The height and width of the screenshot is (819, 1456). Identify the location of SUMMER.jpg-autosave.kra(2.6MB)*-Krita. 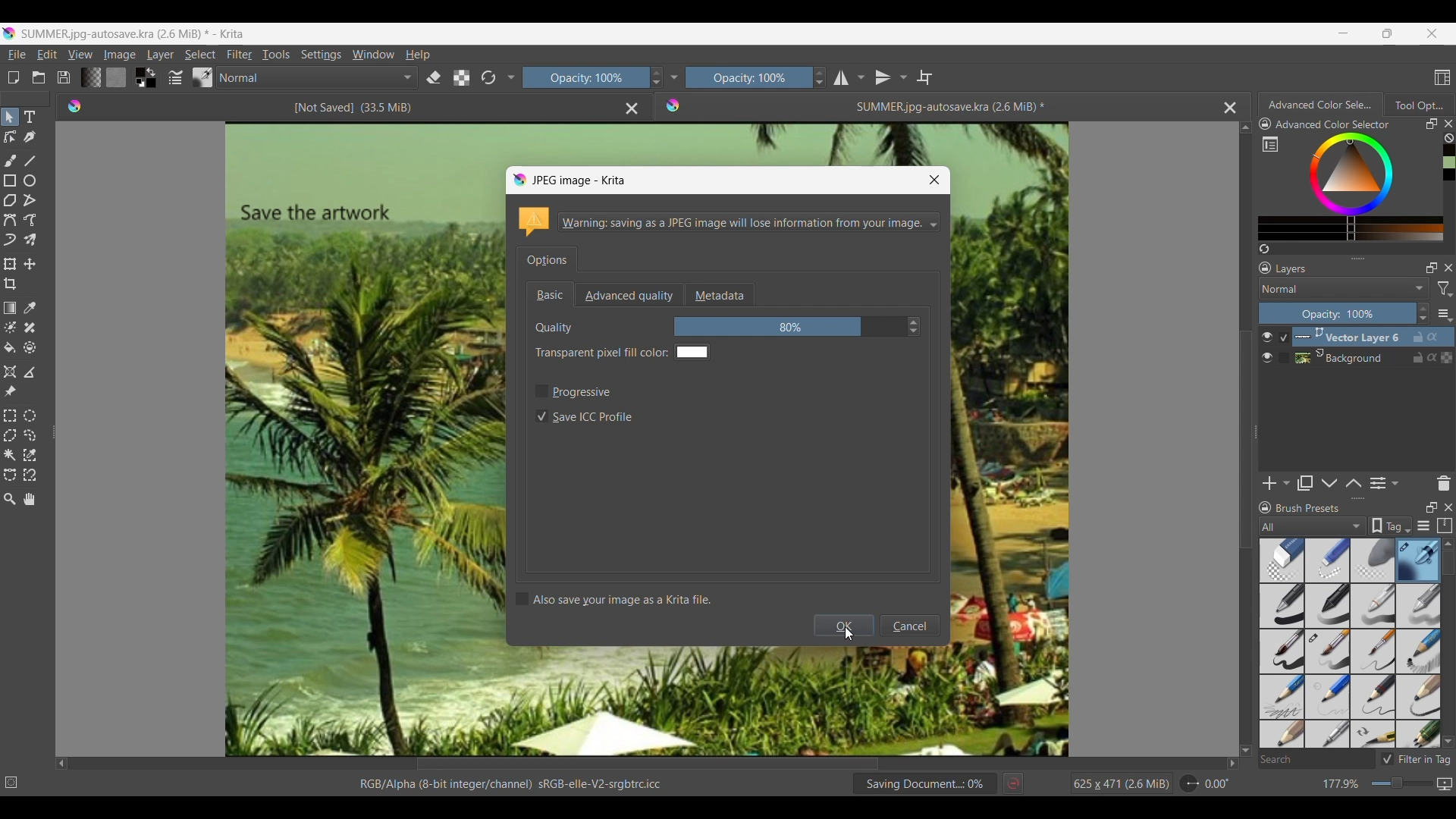
(135, 34).